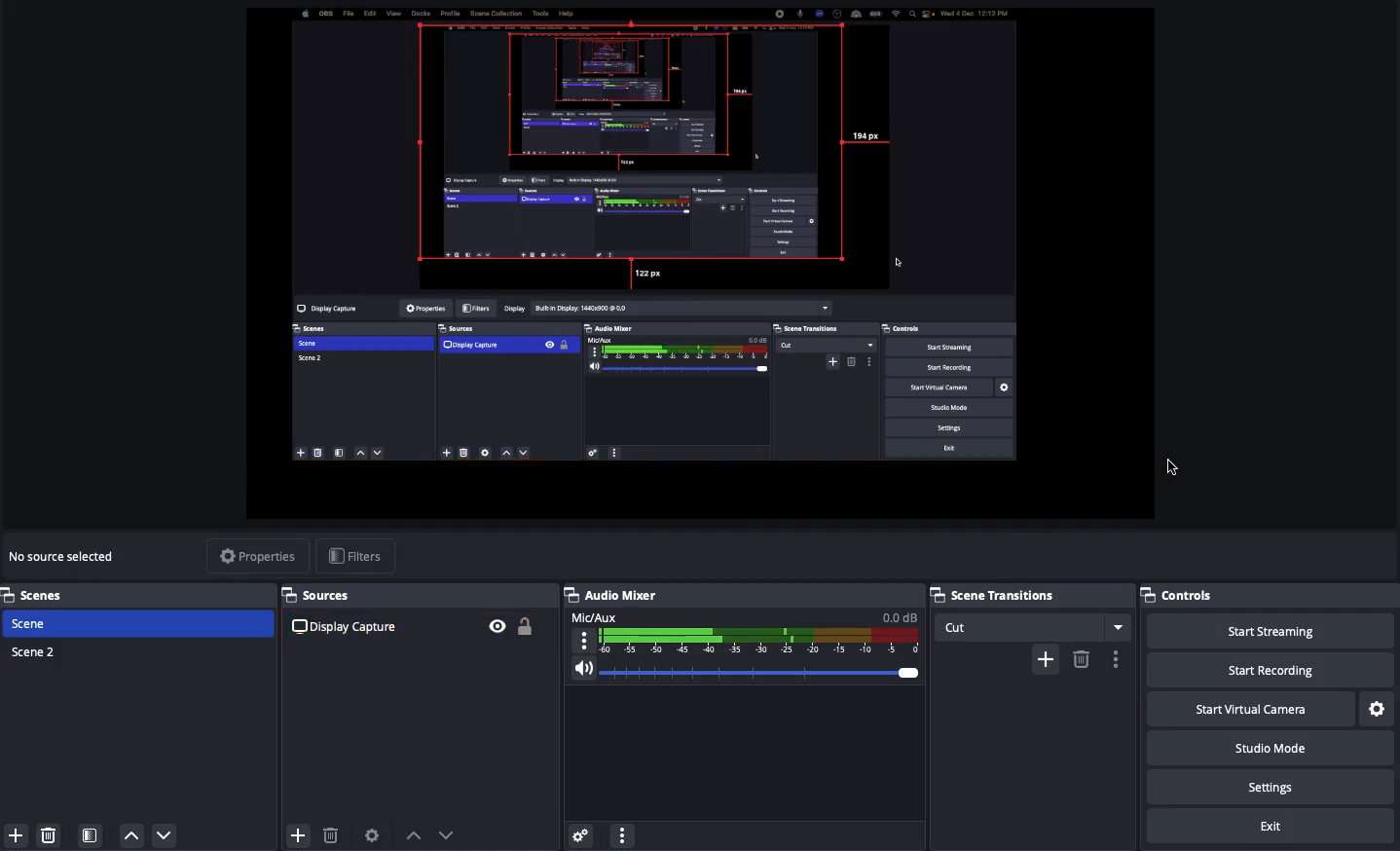  Describe the element at coordinates (1116, 659) in the screenshot. I see `More` at that location.